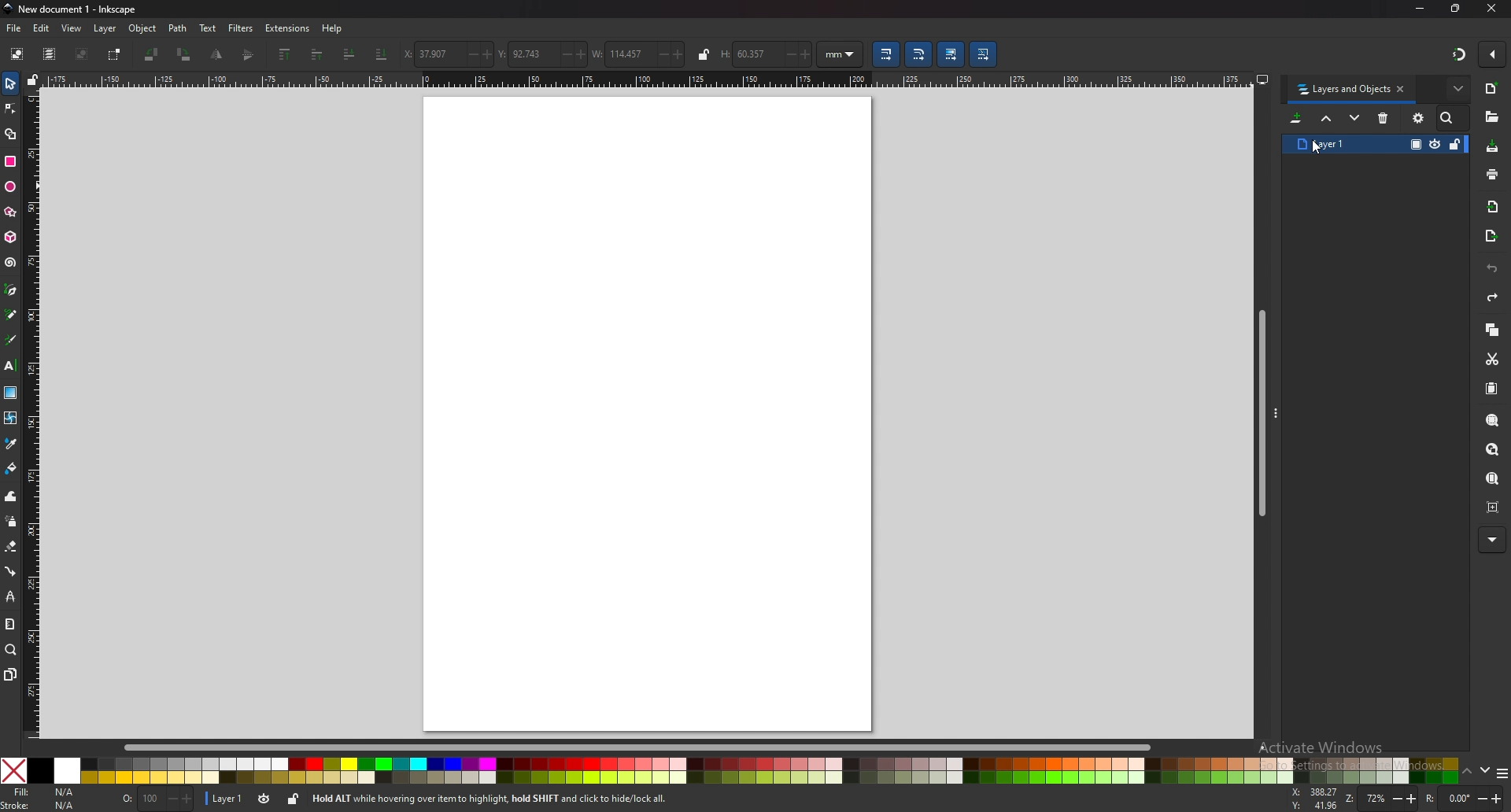 The width and height of the screenshot is (1511, 812). Describe the element at coordinates (12, 467) in the screenshot. I see `fill bucket` at that location.